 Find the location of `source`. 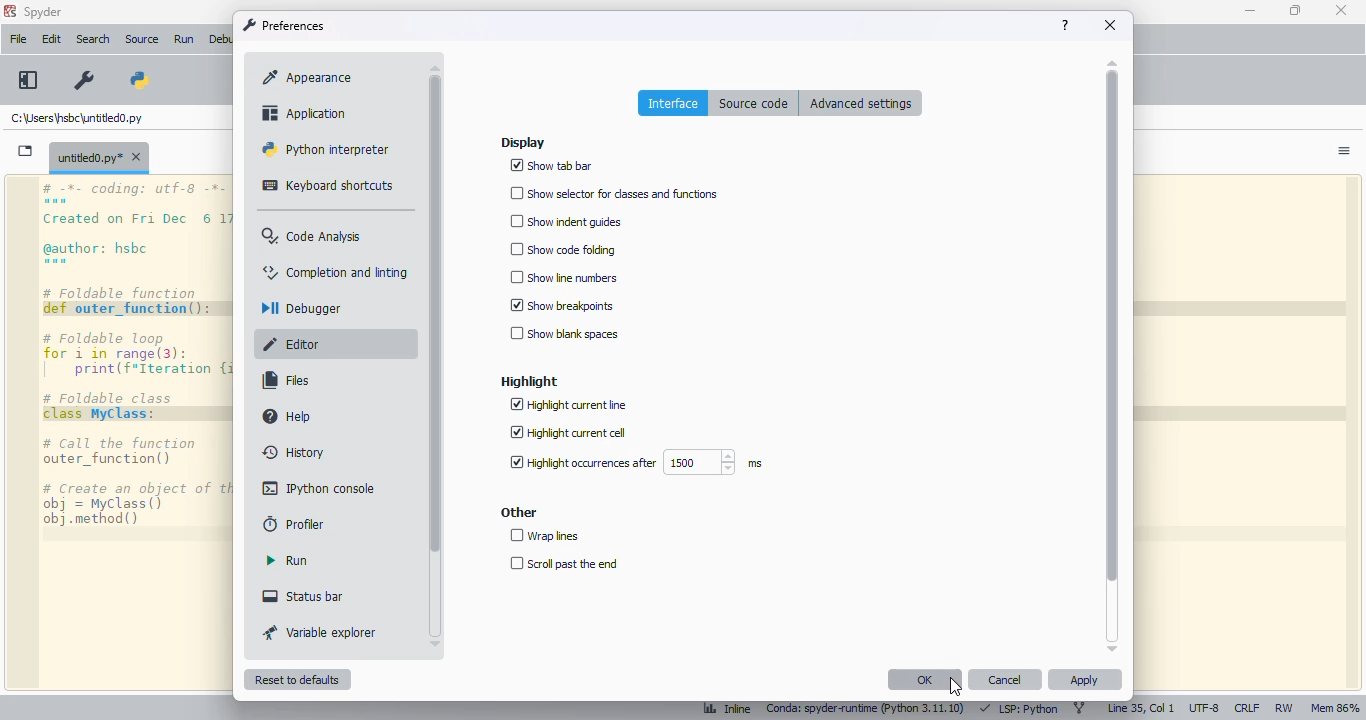

source is located at coordinates (141, 39).